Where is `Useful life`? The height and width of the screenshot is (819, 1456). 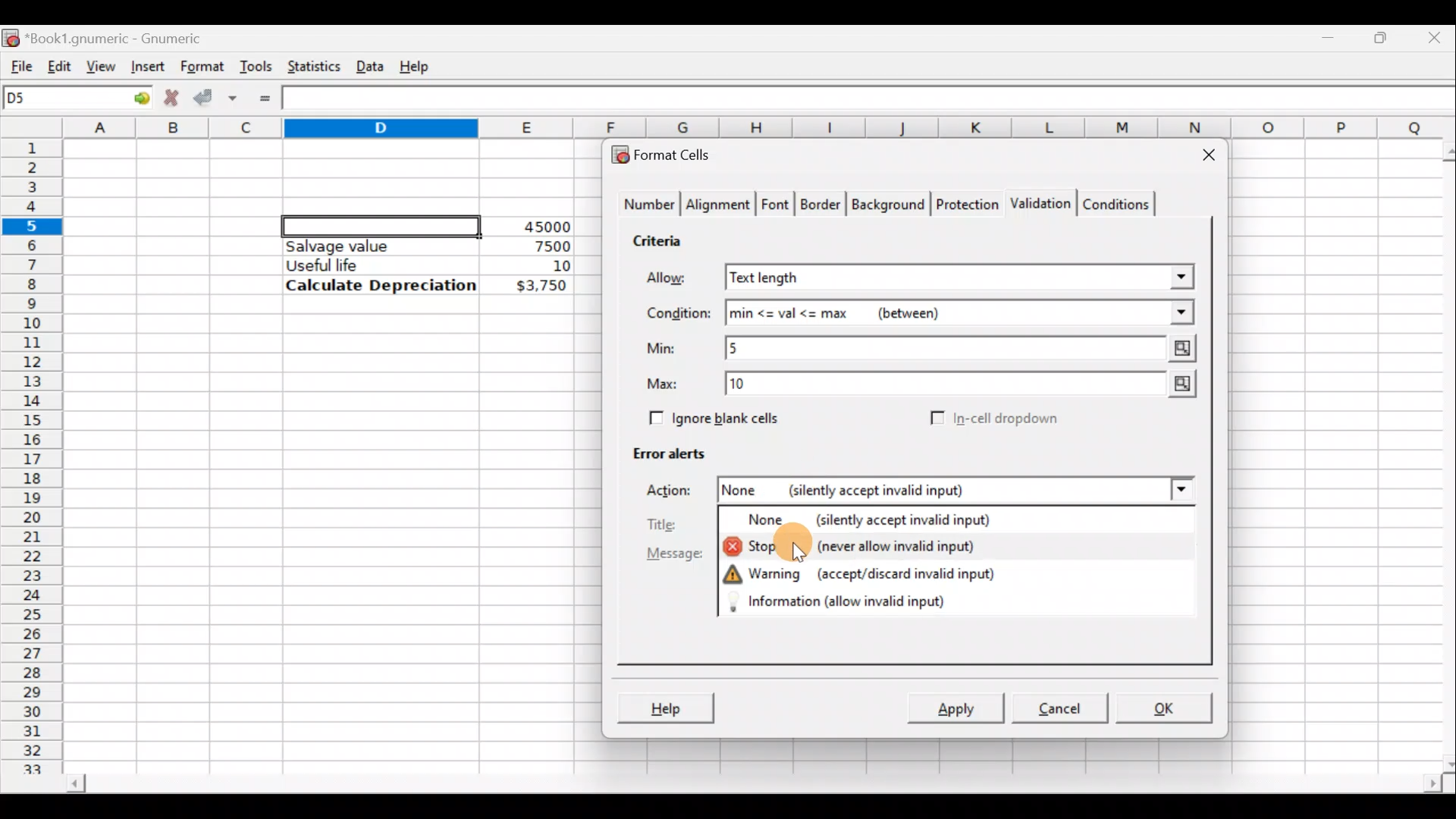 Useful life is located at coordinates (372, 265).